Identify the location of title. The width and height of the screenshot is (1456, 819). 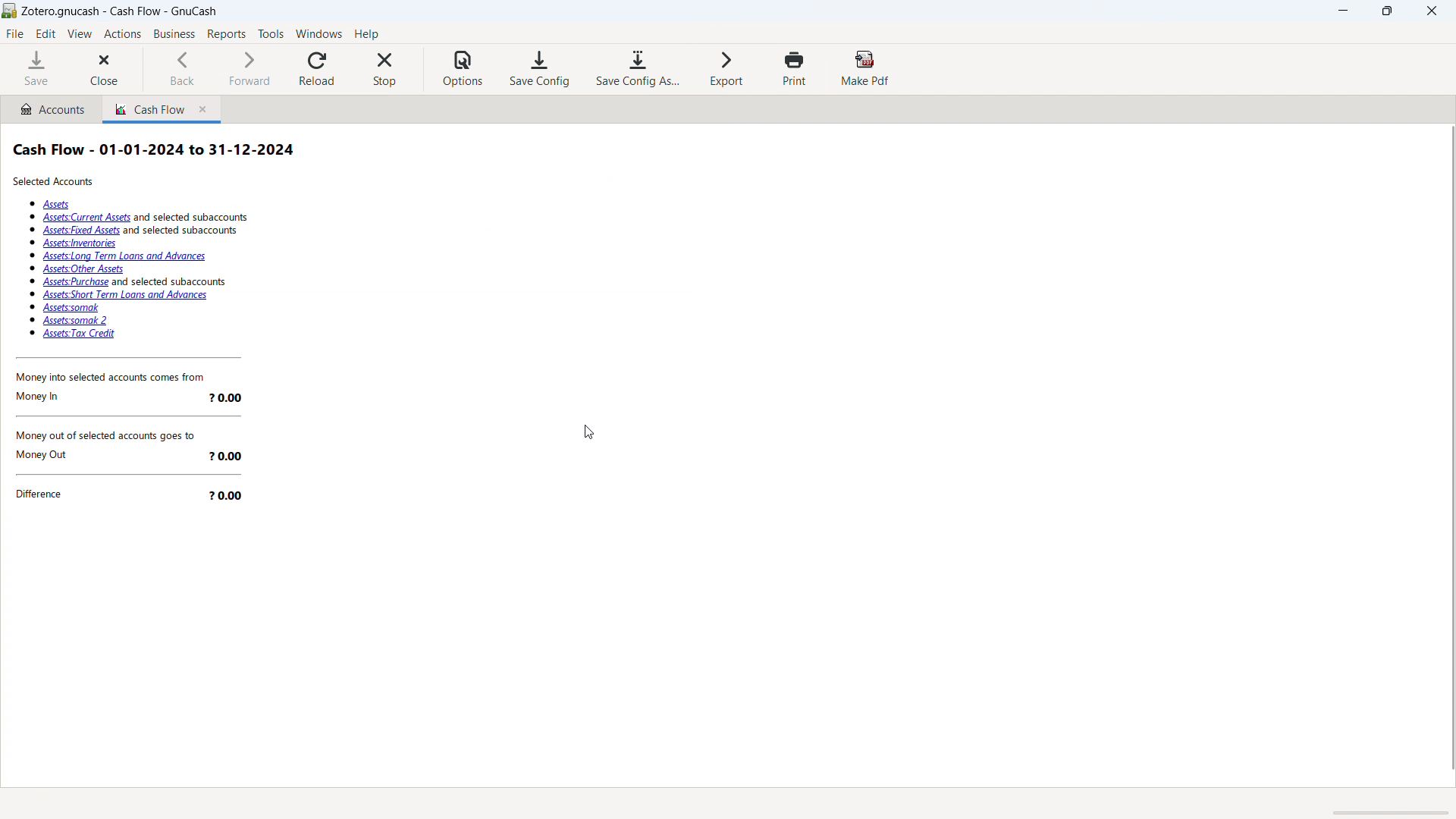
(119, 12).